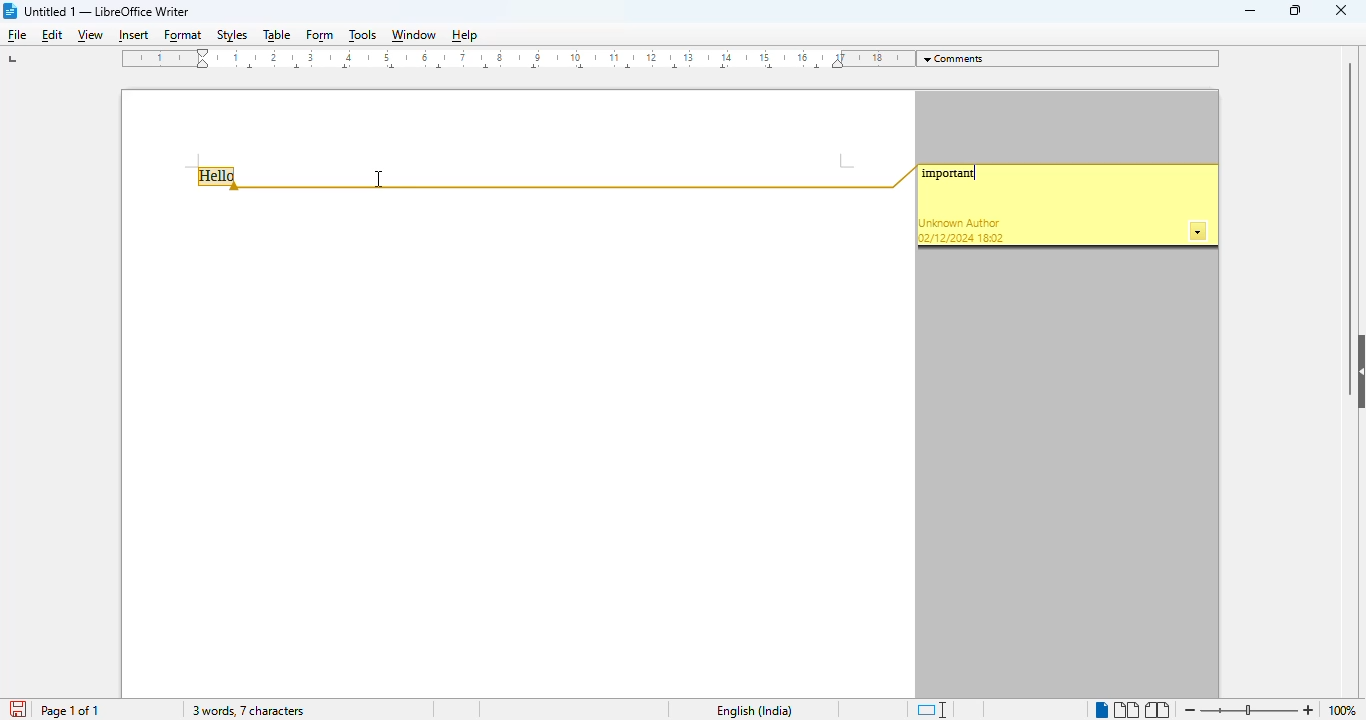 This screenshot has width=1366, height=720. Describe the element at coordinates (516, 445) in the screenshot. I see `workspace` at that location.